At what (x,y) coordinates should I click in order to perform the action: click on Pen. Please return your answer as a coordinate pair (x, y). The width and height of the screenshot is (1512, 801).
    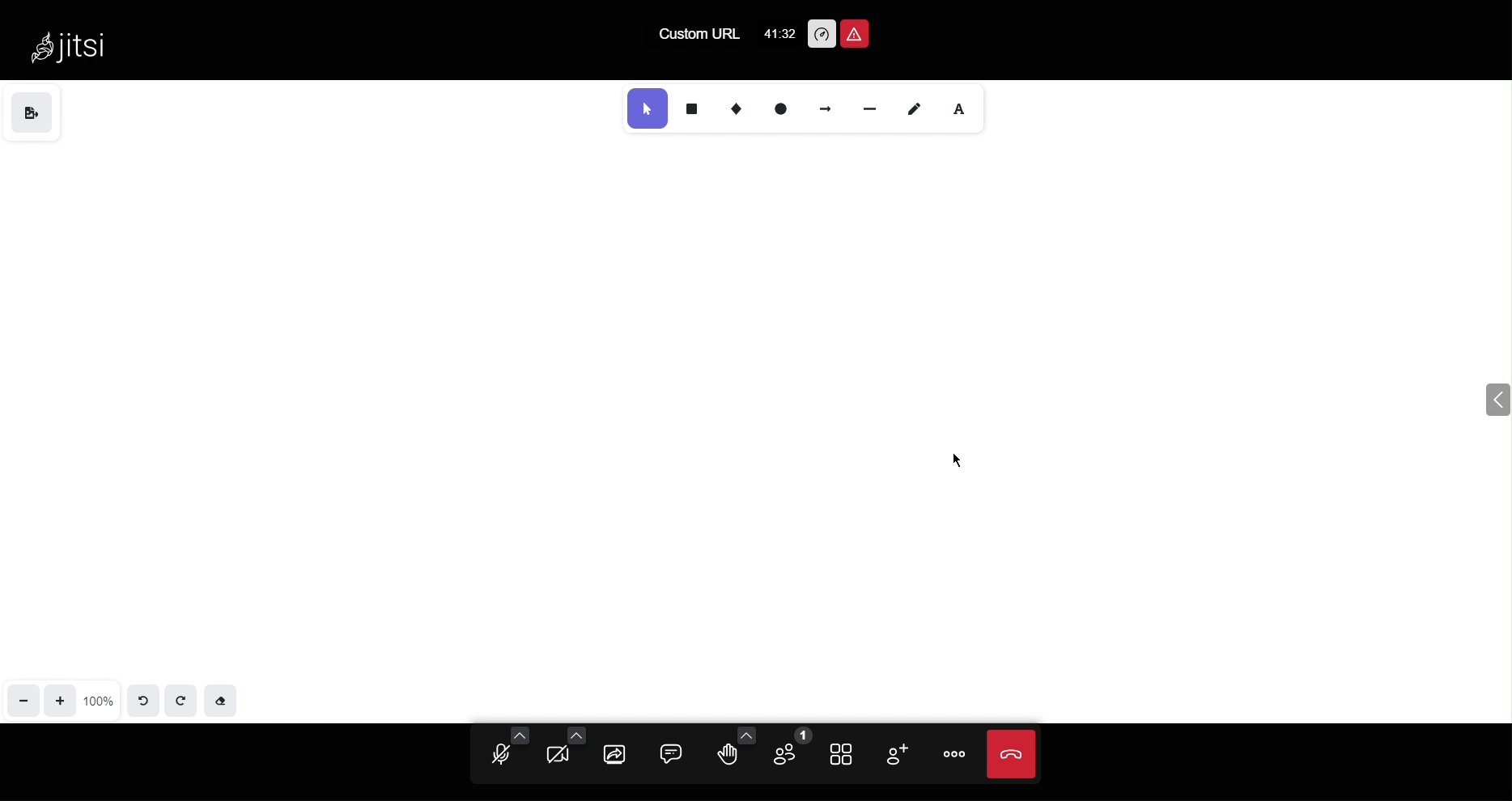
    Looking at the image, I should click on (919, 108).